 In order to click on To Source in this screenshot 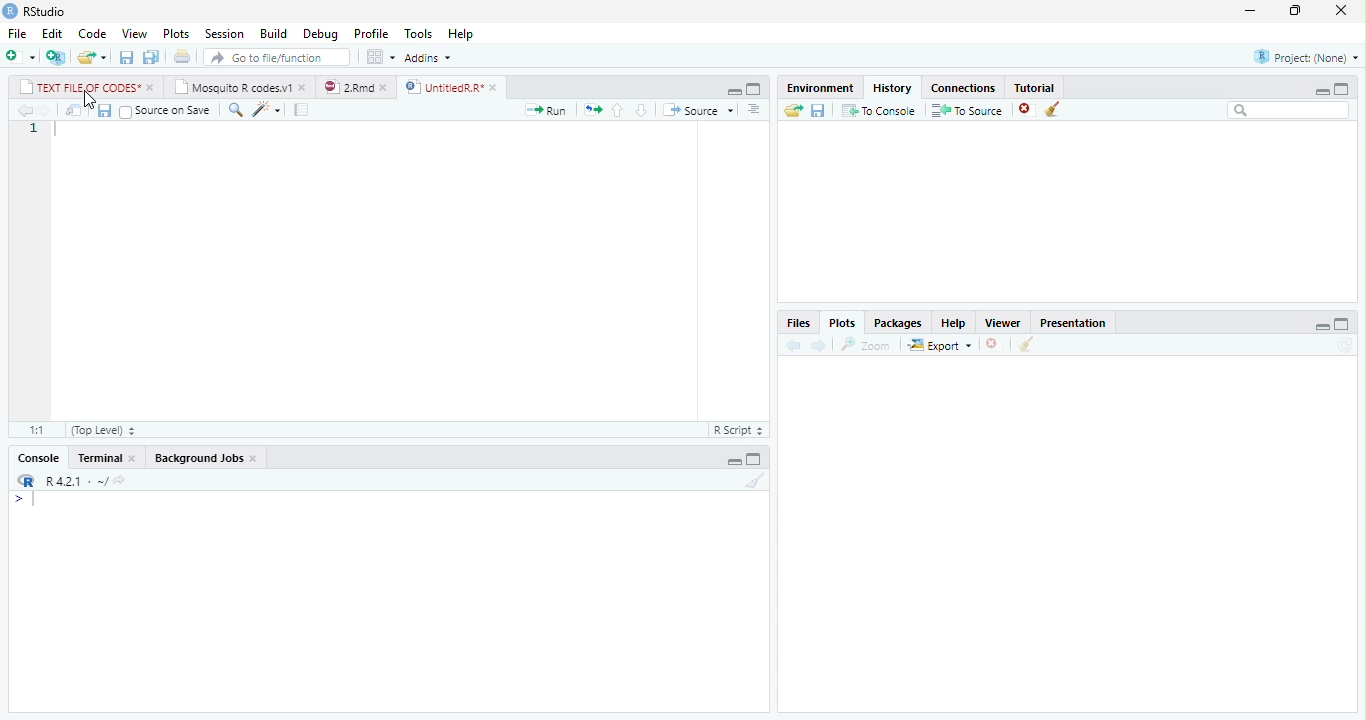, I will do `click(966, 110)`.